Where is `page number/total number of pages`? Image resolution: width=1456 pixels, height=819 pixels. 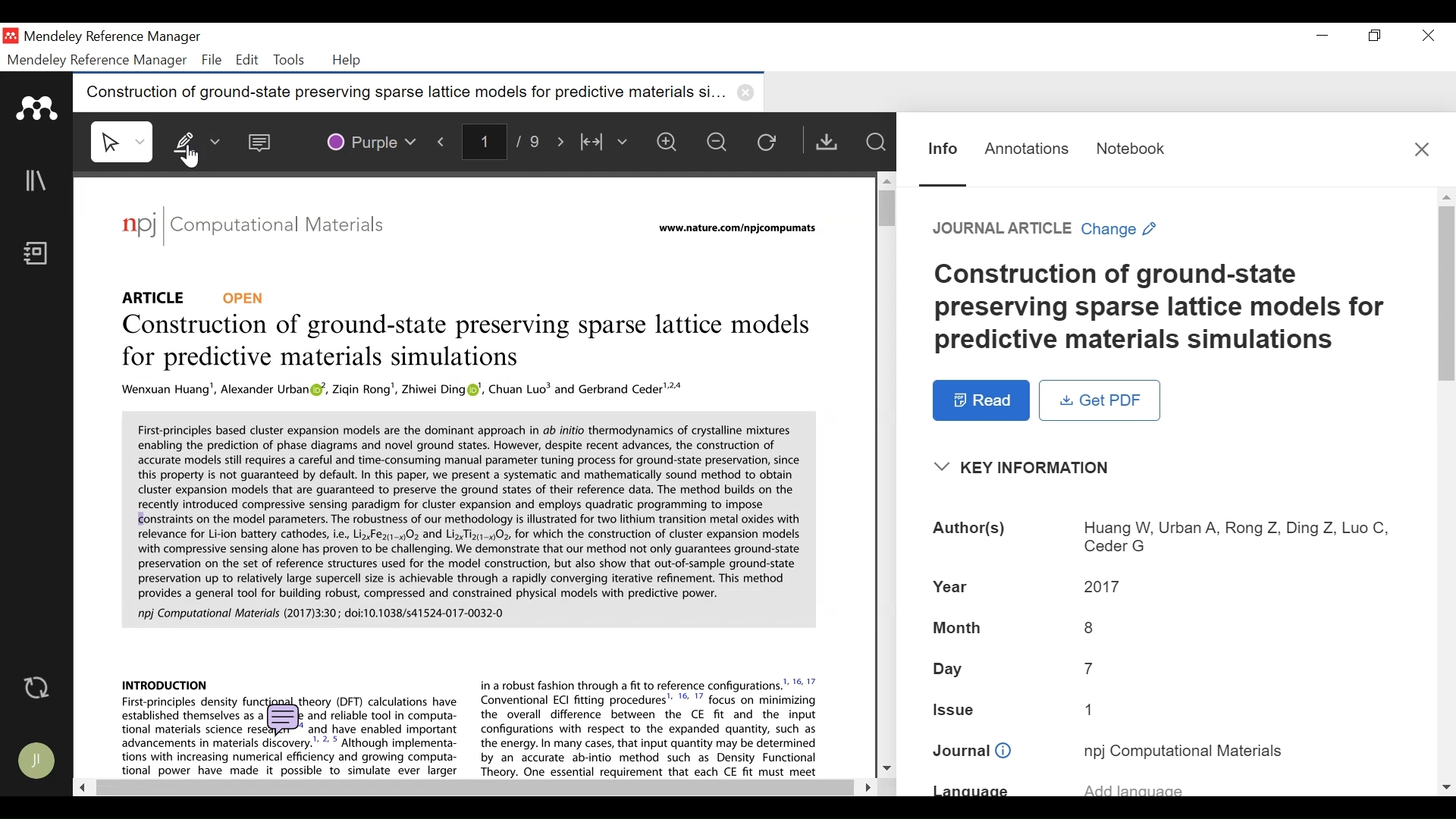 page number/total number of pages is located at coordinates (507, 140).